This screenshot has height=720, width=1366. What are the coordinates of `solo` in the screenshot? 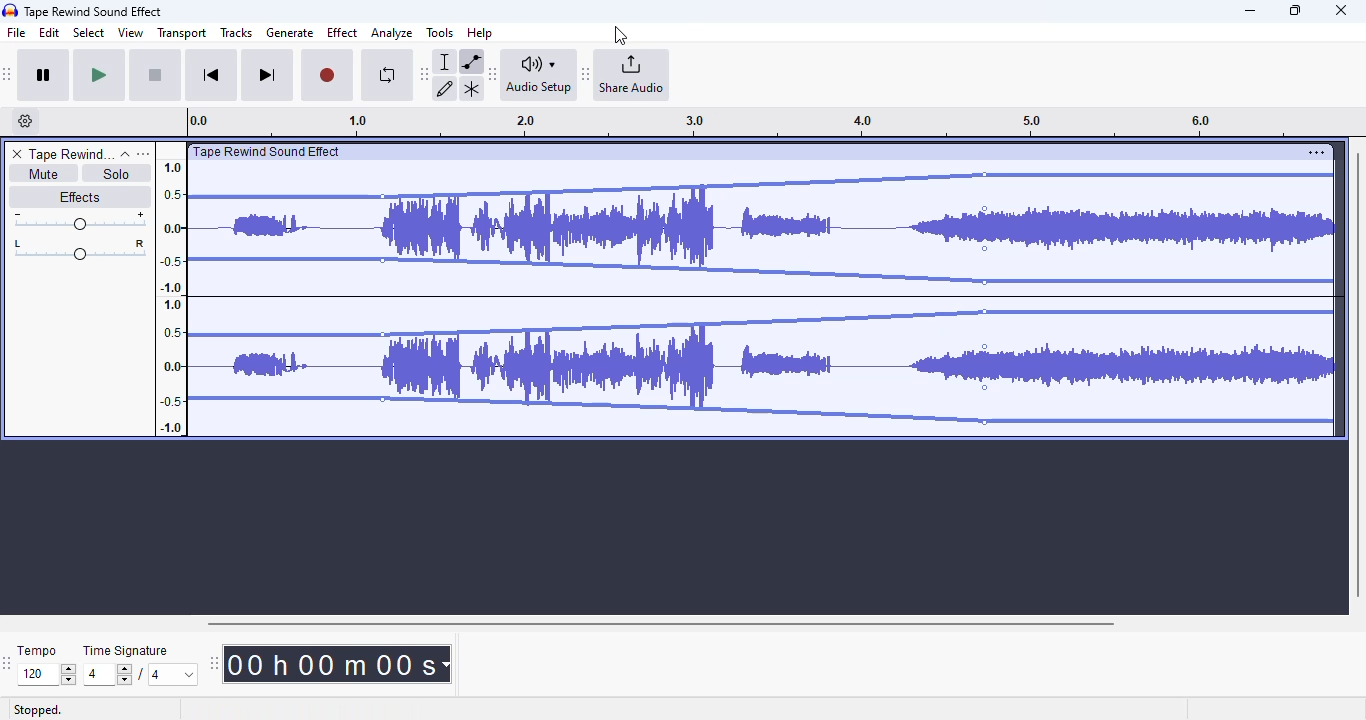 It's located at (117, 173).